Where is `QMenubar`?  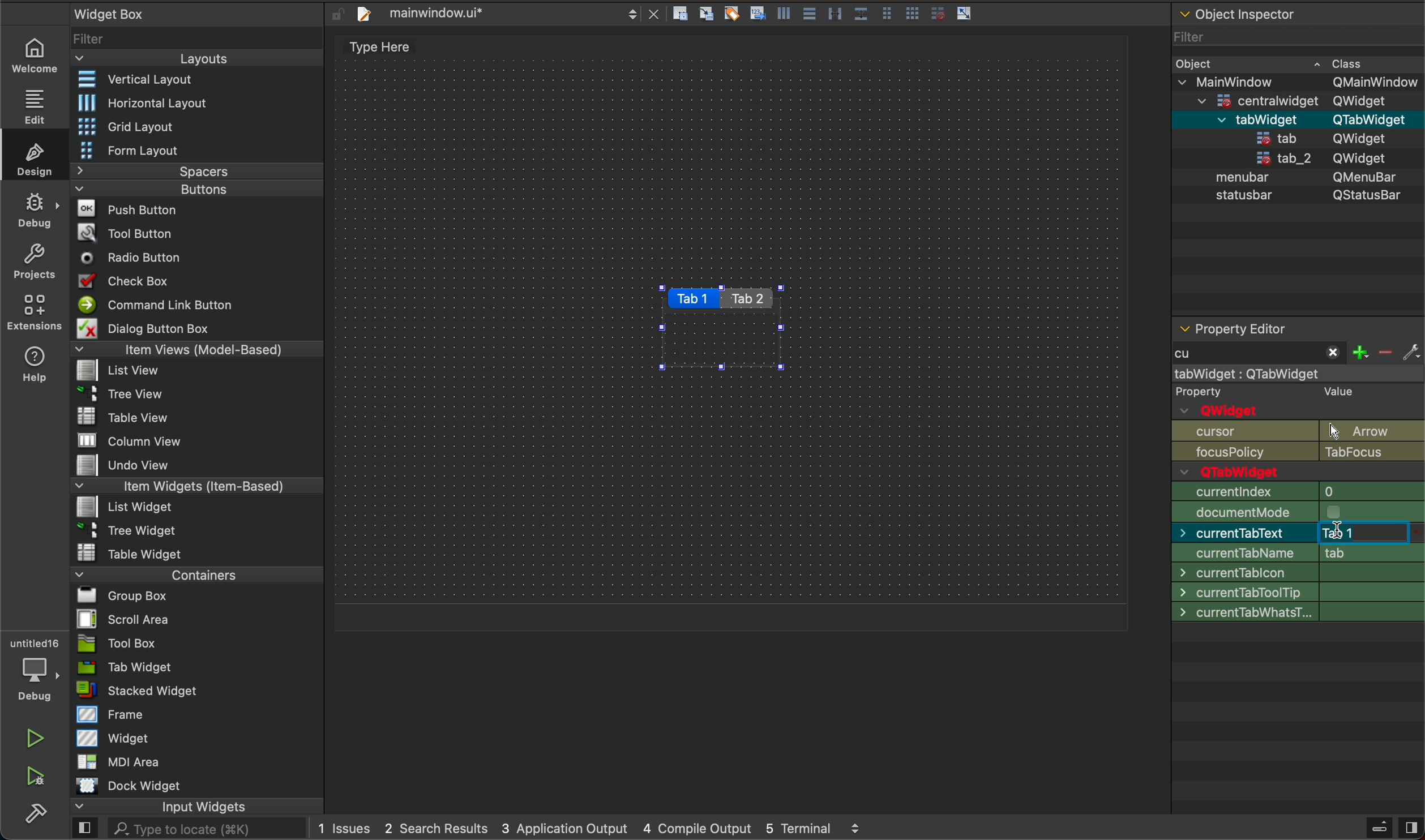
QMenubar is located at coordinates (1355, 179).